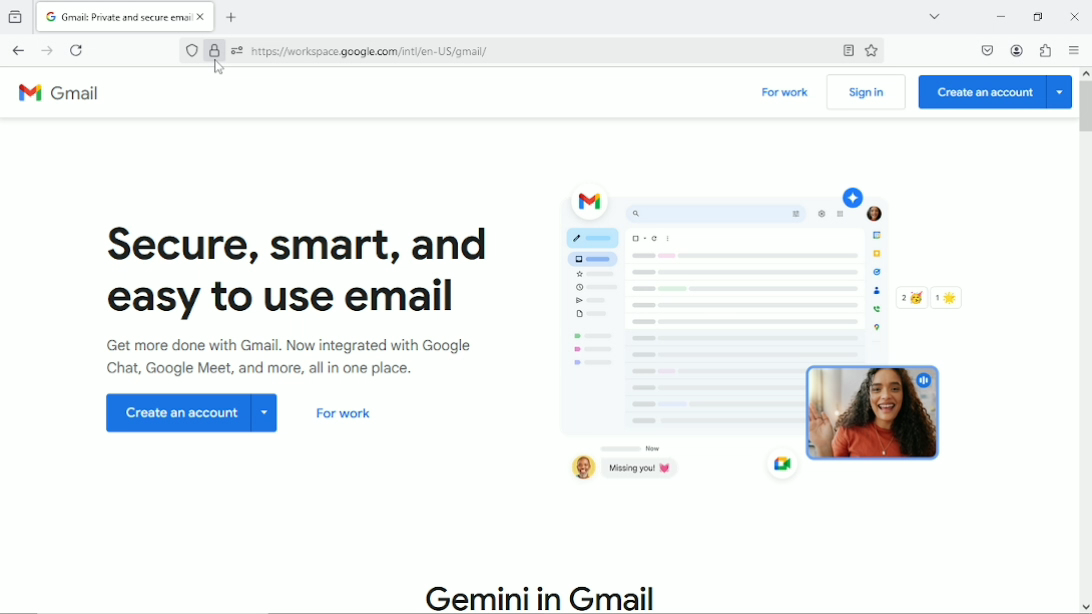 This screenshot has width=1092, height=614. Describe the element at coordinates (1038, 14) in the screenshot. I see `restore down` at that location.